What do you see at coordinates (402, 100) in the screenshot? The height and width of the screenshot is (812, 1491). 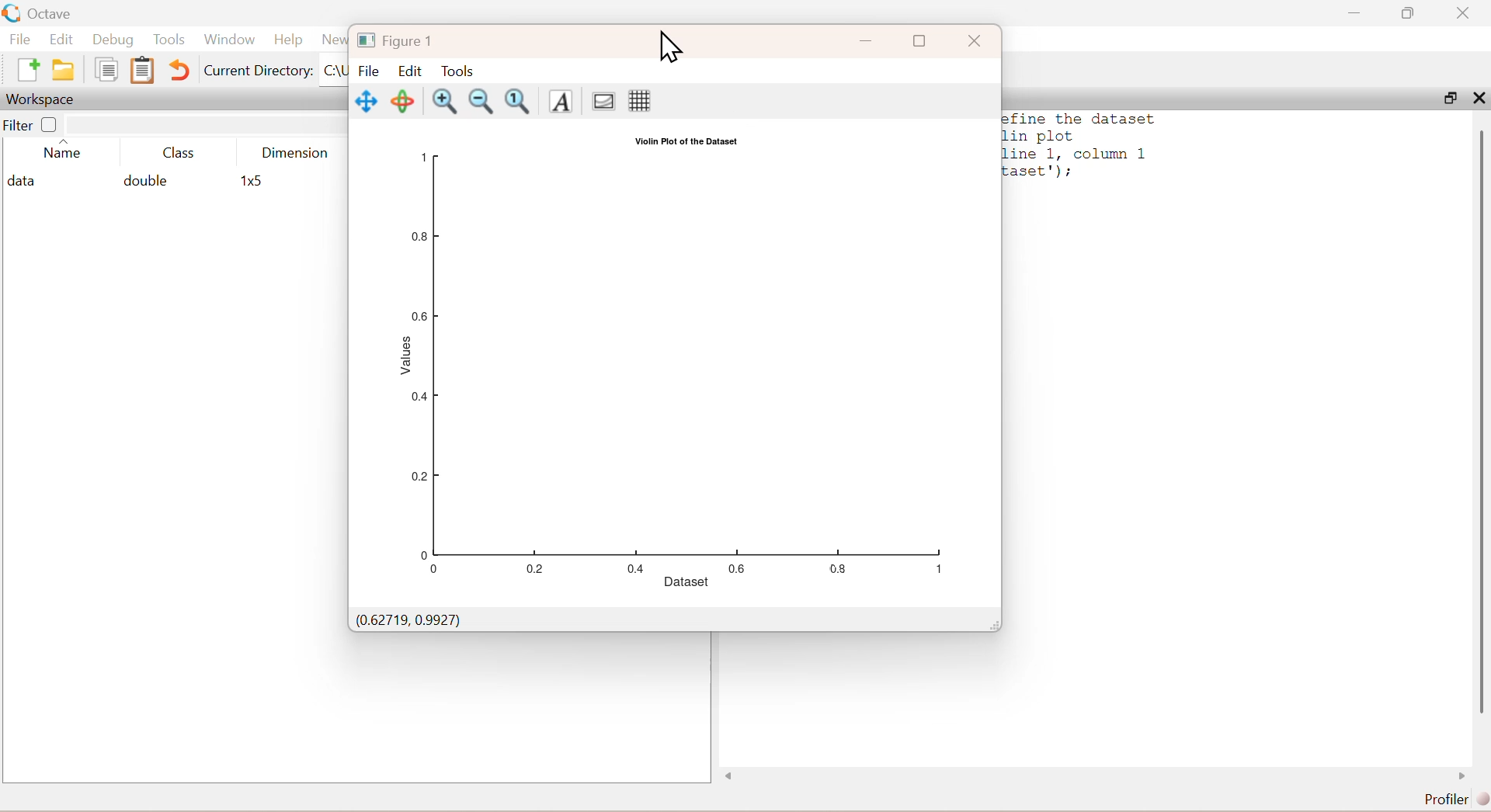 I see `rotate` at bounding box center [402, 100].